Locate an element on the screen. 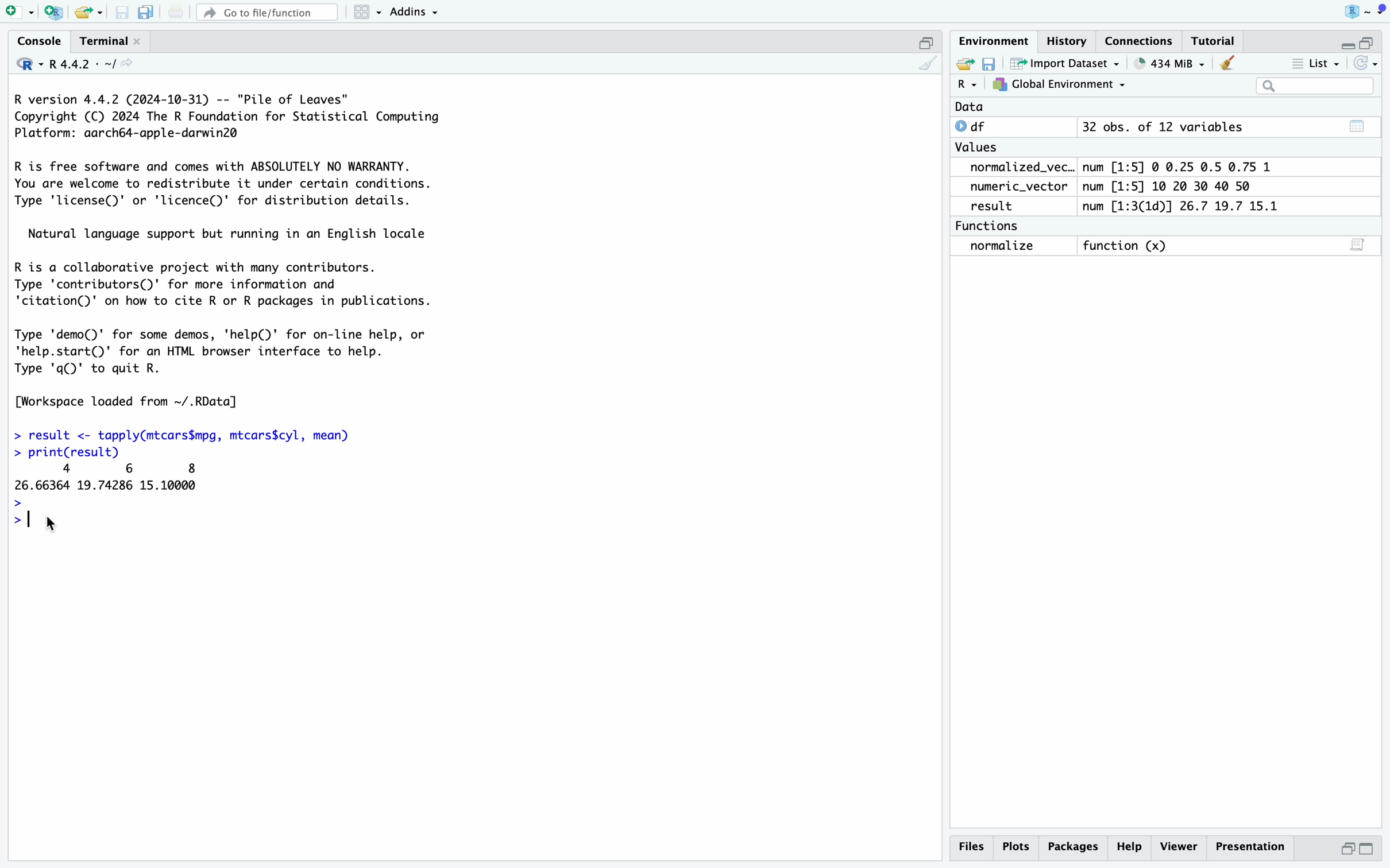 This screenshot has width=1390, height=868. Show on script is located at coordinates (1356, 245).